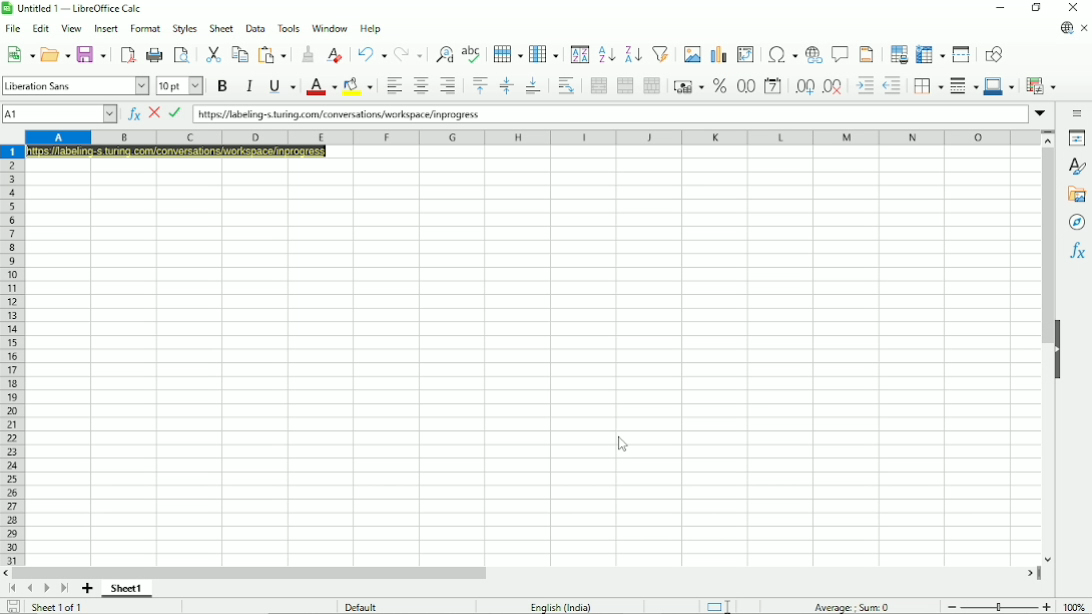  I want to click on Underline, so click(282, 86).